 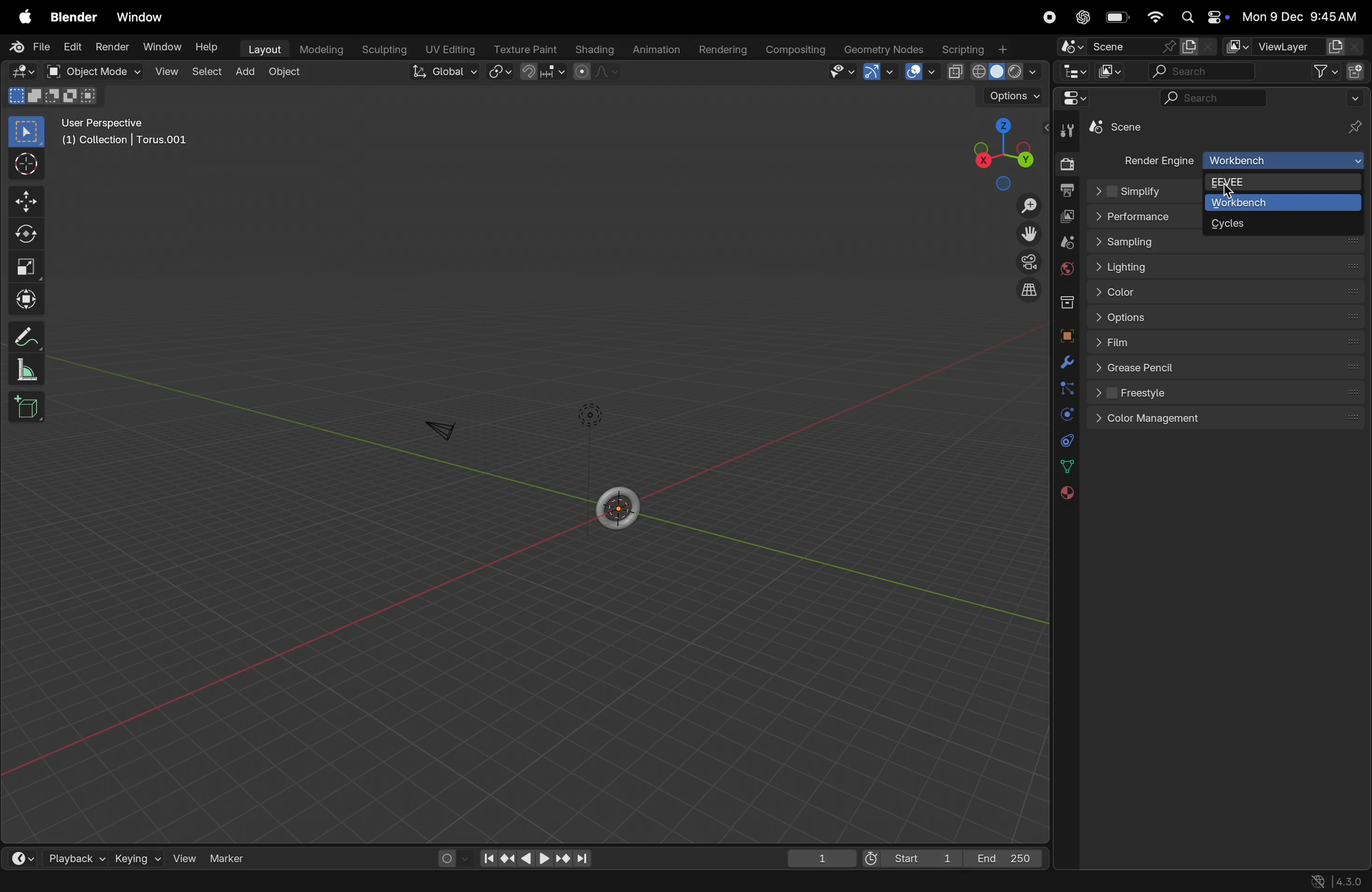 I want to click on wifi, so click(x=1156, y=18).